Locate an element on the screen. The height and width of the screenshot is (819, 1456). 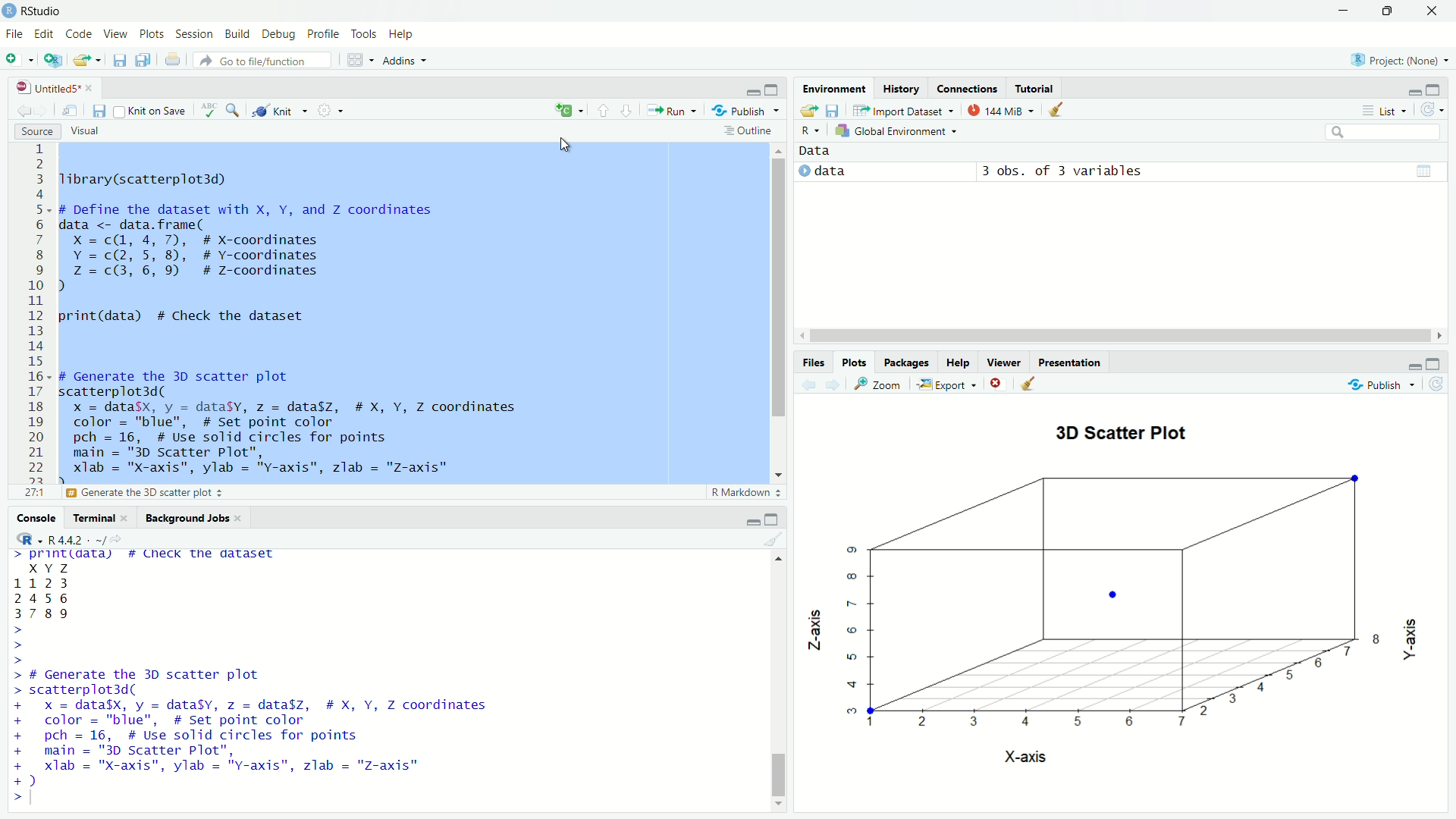
view a larger version of the plot in a new window is located at coordinates (880, 385).